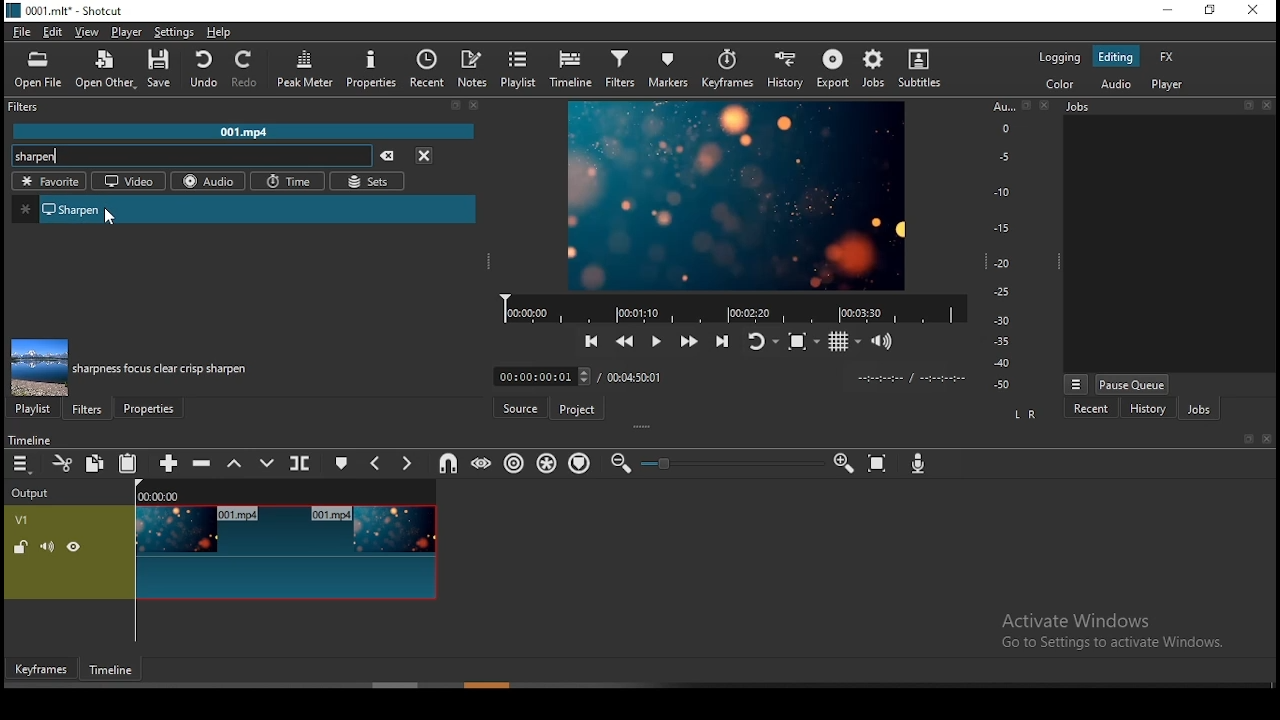  Describe the element at coordinates (40, 70) in the screenshot. I see `open file` at that location.